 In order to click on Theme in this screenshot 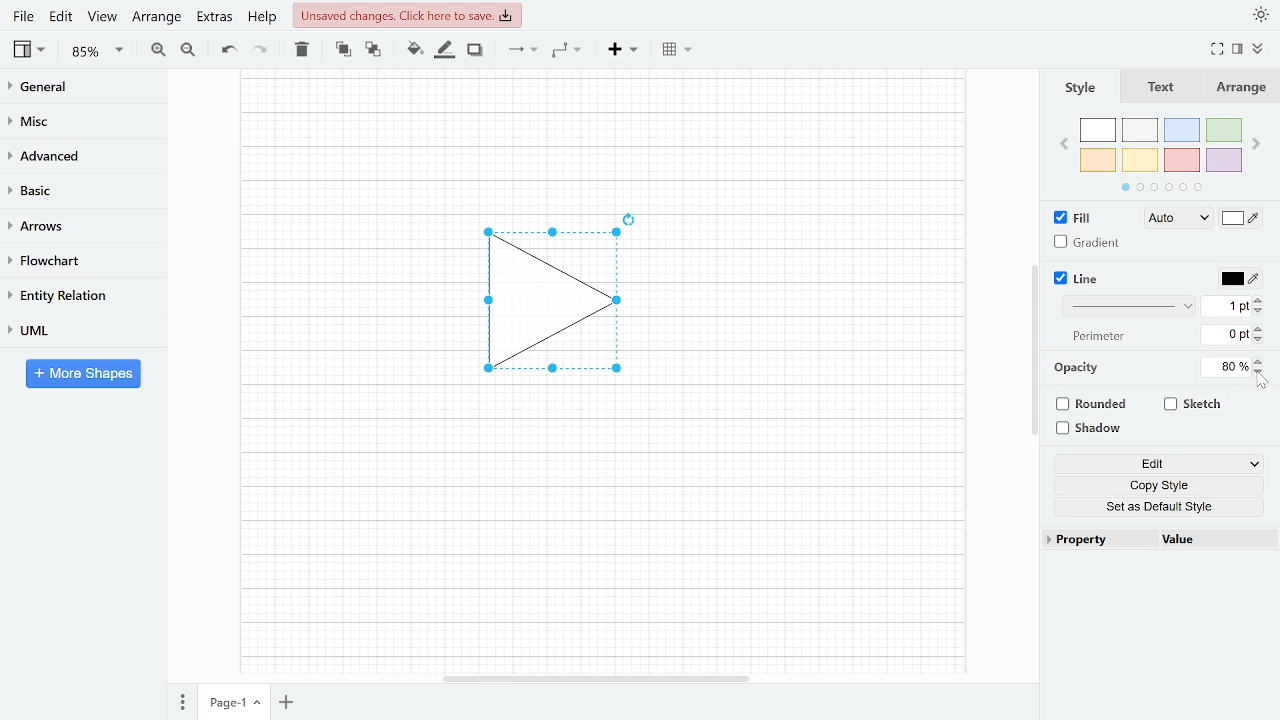, I will do `click(1262, 14)`.